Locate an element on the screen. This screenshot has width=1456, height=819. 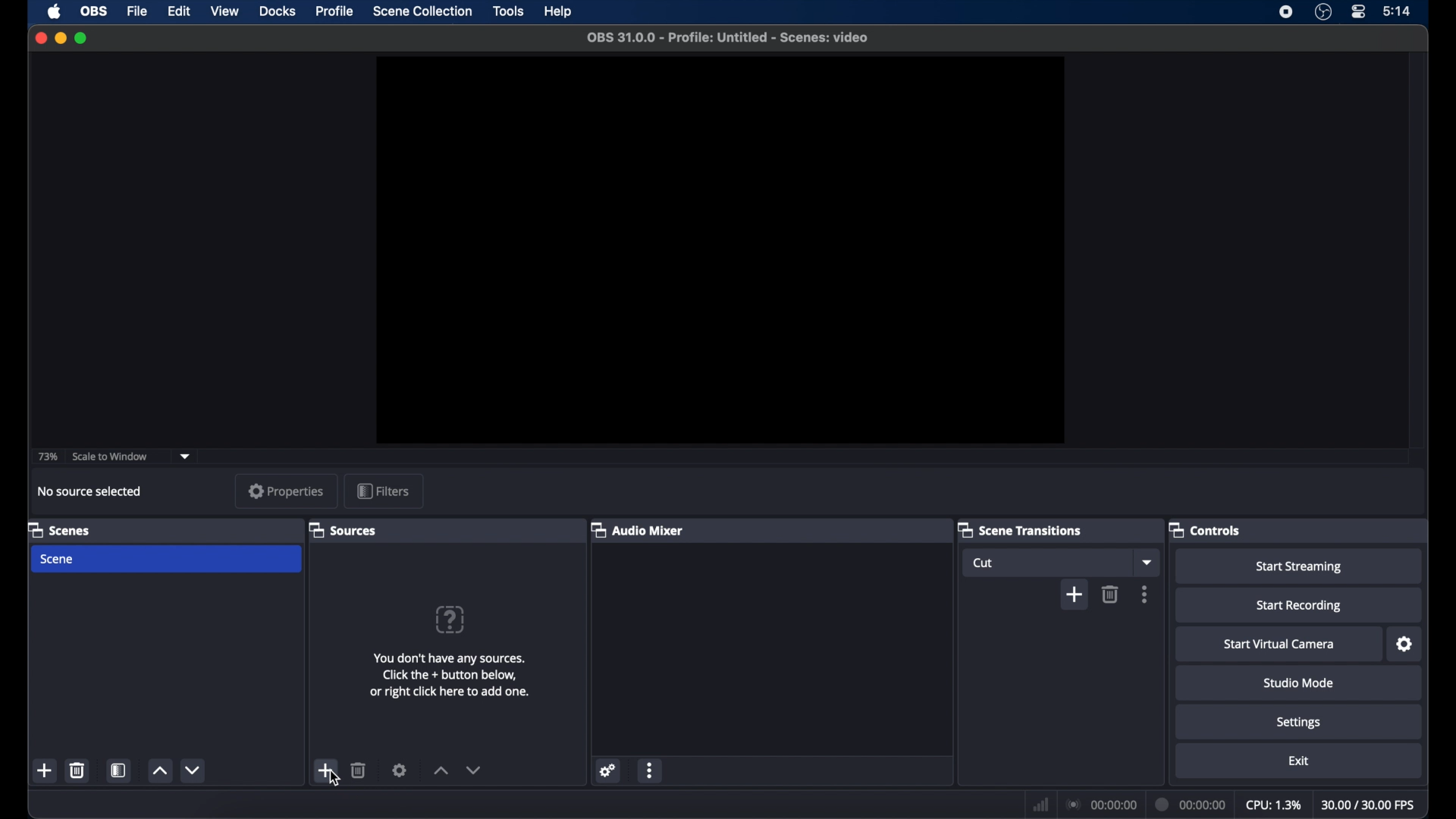
decrement is located at coordinates (474, 770).